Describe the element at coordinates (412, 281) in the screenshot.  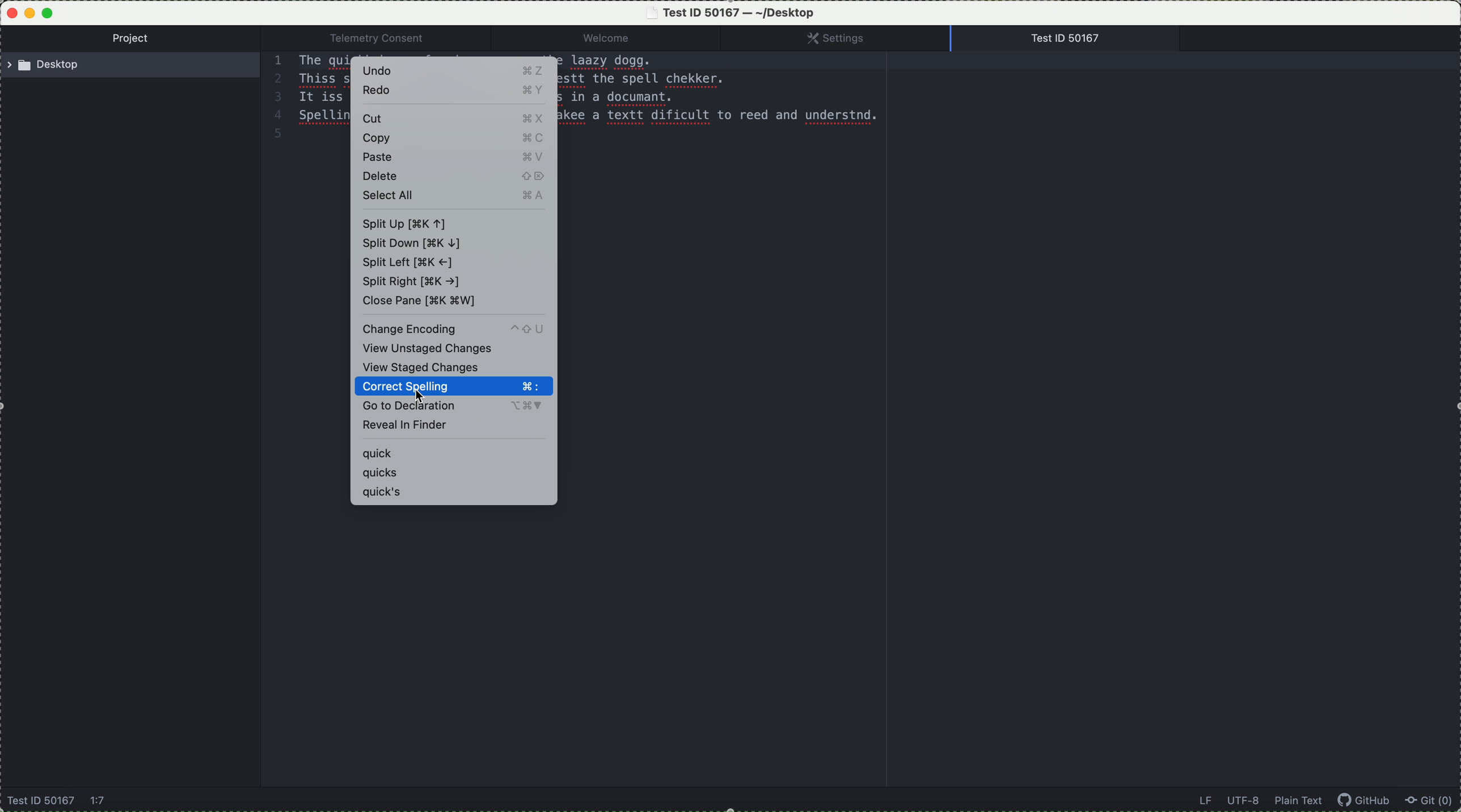
I see `split right` at that location.